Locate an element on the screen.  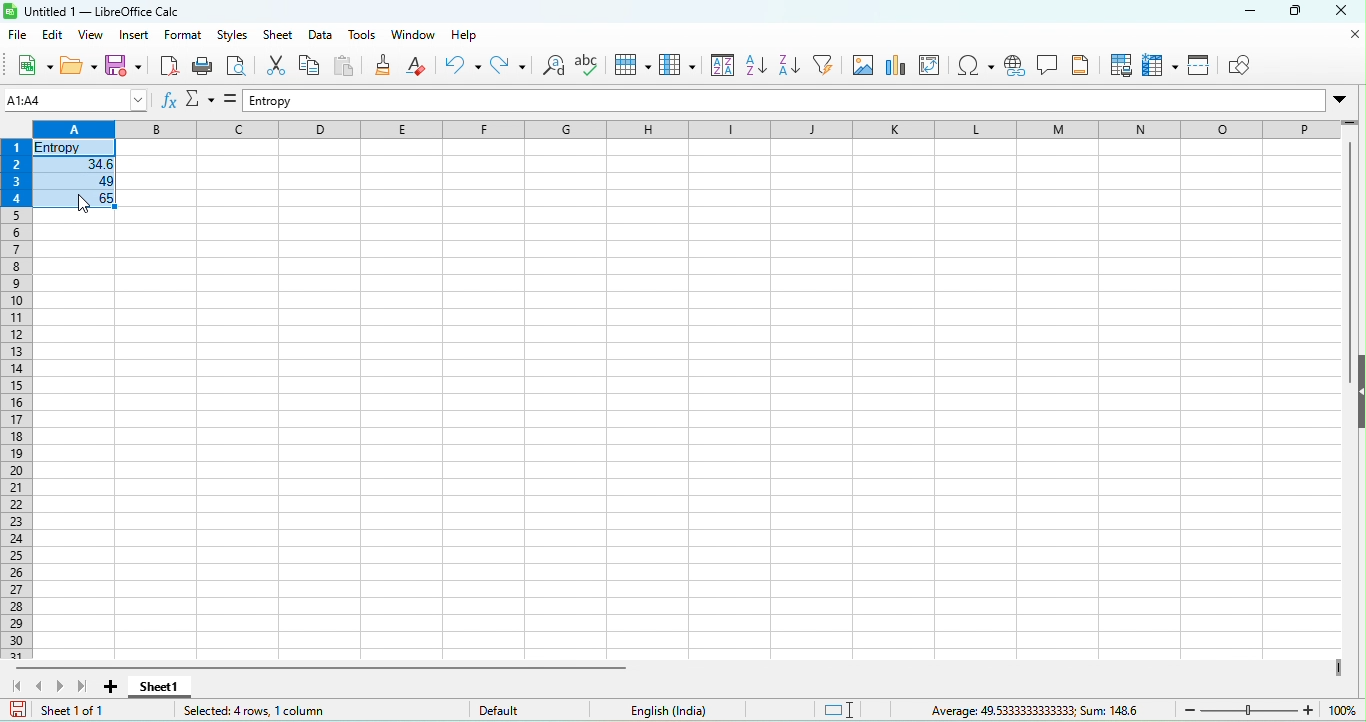
show draw function is located at coordinates (1246, 65).